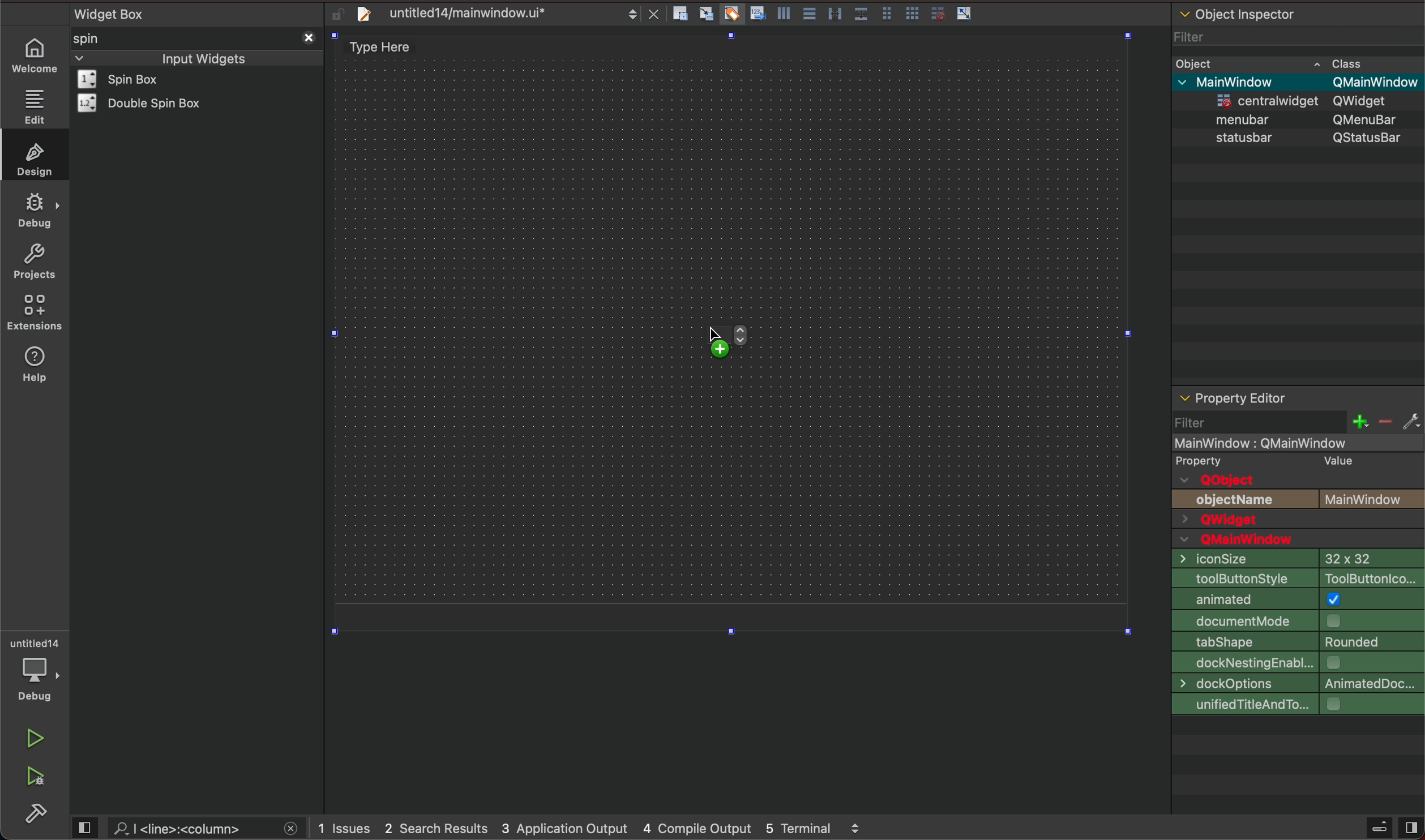  I want to click on close sidebar, so click(1392, 828).